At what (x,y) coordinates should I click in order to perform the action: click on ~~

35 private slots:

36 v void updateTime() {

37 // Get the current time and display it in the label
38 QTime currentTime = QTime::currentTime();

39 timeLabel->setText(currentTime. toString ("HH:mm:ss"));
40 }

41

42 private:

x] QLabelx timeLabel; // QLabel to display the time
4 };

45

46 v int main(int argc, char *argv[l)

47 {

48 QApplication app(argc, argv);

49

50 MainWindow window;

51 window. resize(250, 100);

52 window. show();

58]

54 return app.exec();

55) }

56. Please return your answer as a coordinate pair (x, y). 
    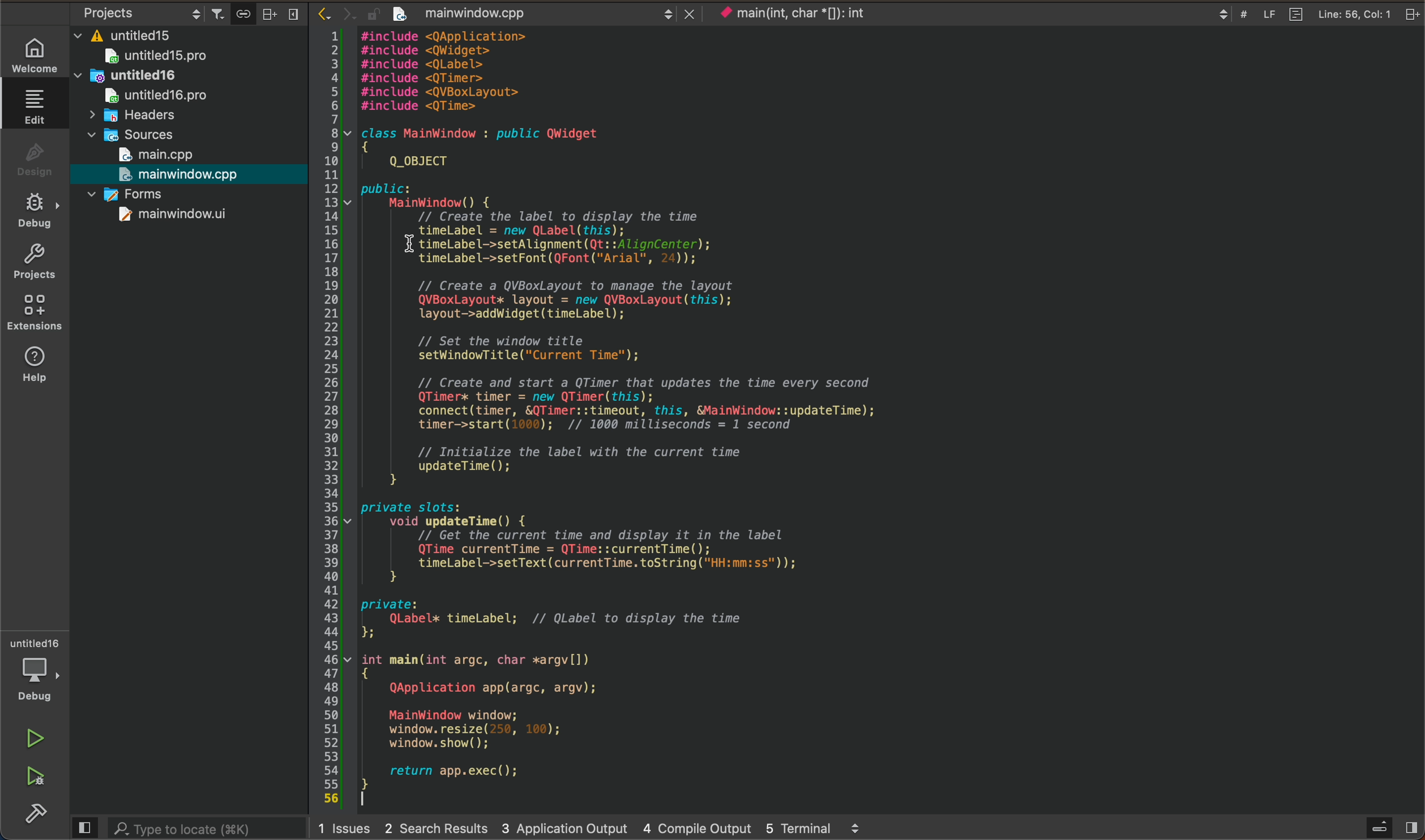
    Looking at the image, I should click on (614, 649).